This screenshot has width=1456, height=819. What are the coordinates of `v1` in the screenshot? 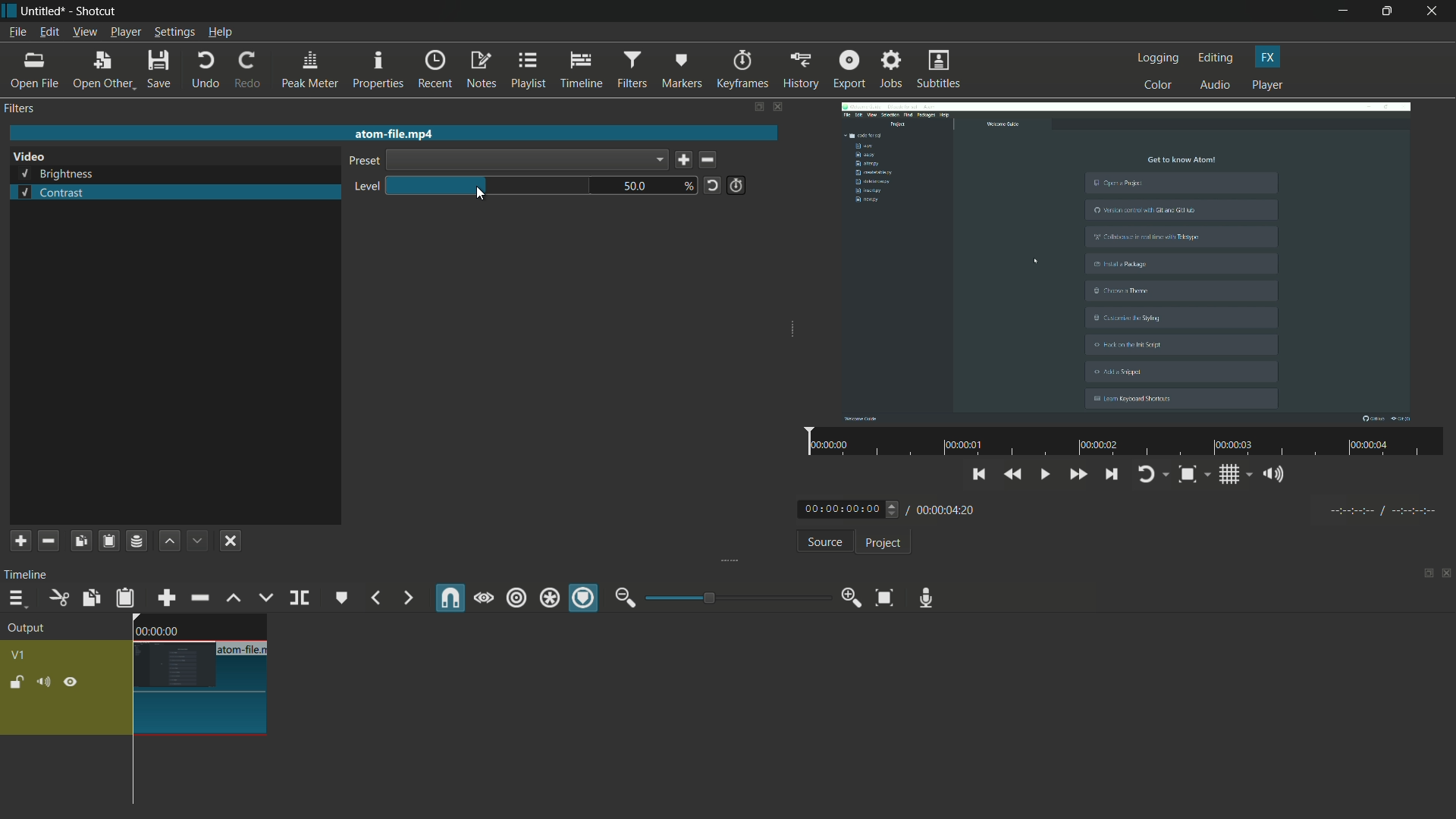 It's located at (21, 654).